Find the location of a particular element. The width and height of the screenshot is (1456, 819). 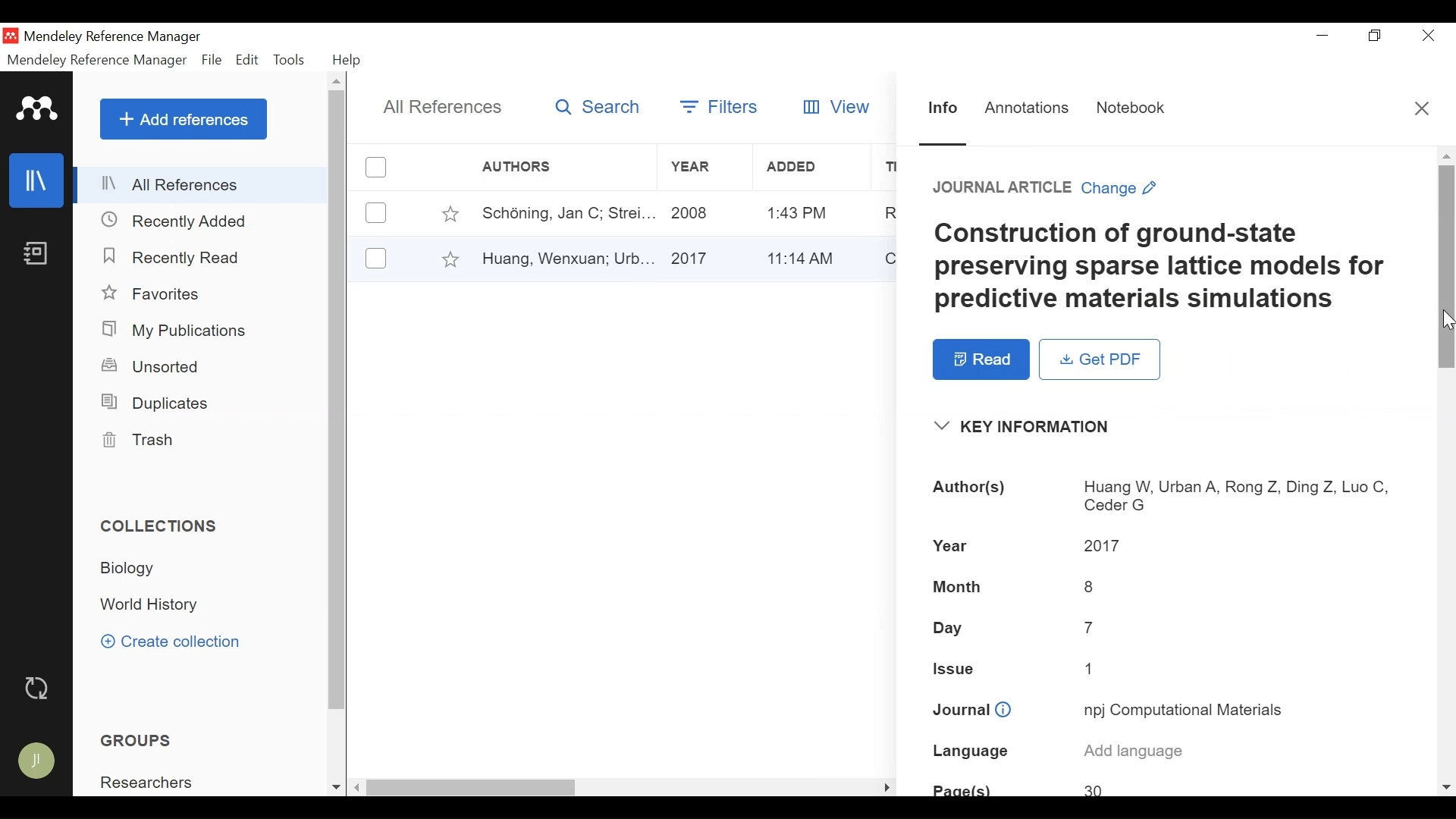

Groups is located at coordinates (140, 741).